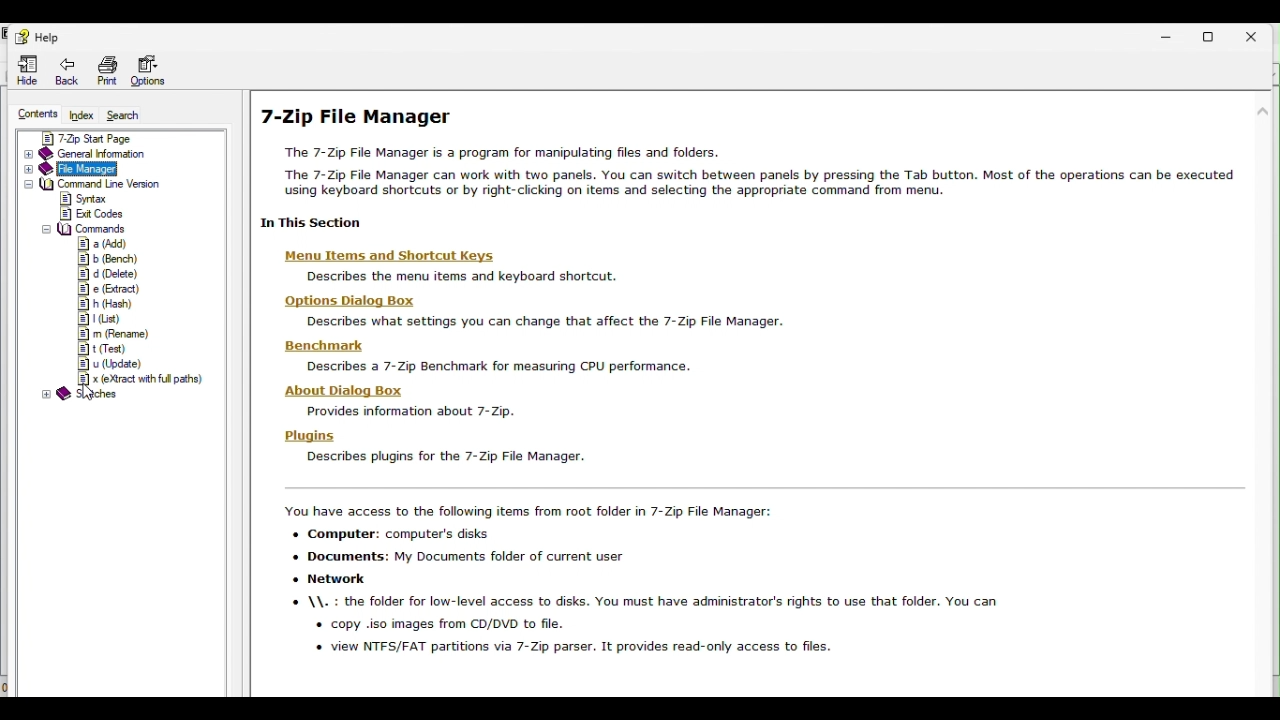 This screenshot has width=1280, height=720. Describe the element at coordinates (47, 394) in the screenshot. I see `expand` at that location.